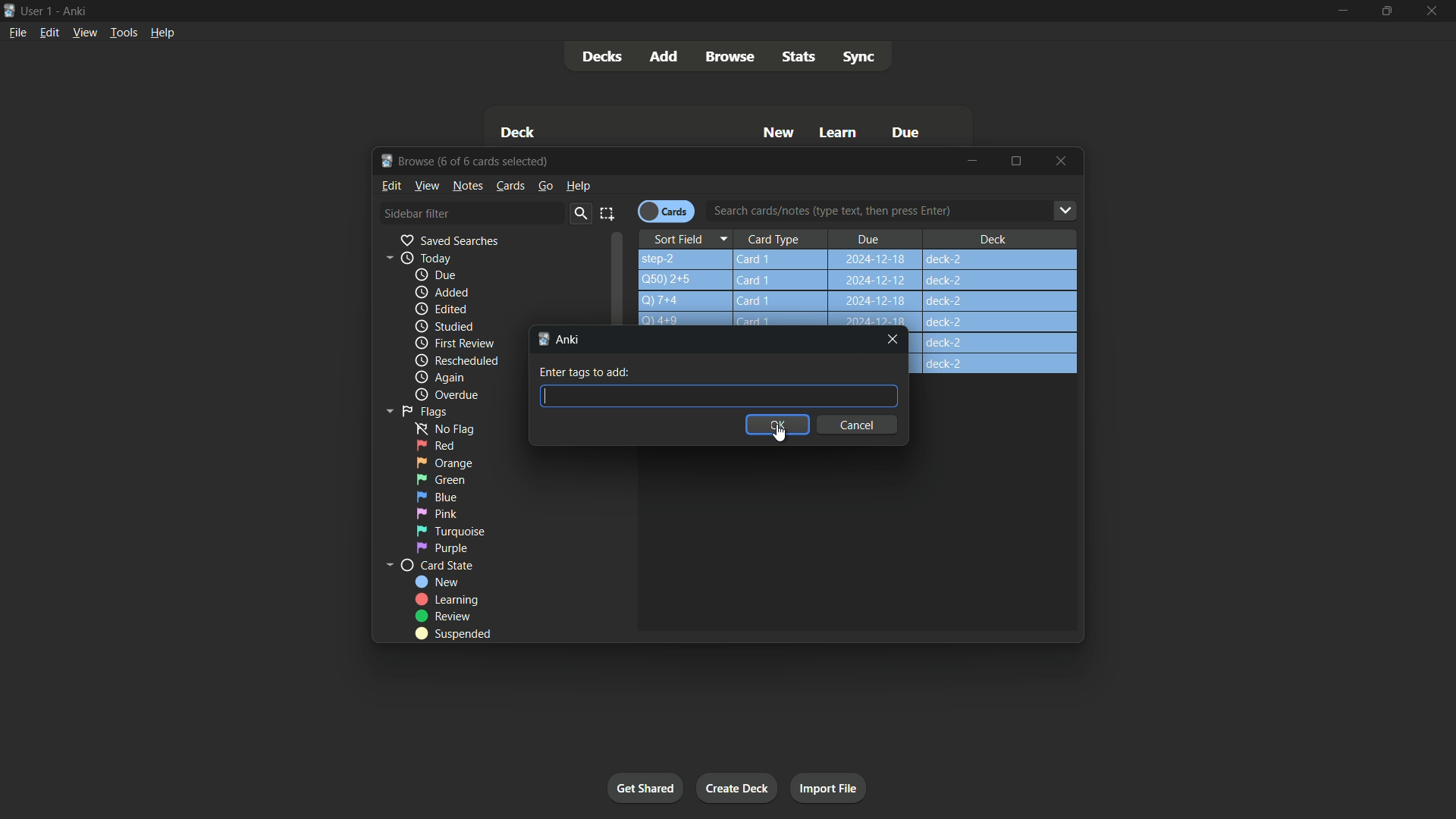 This screenshot has height=819, width=1456. I want to click on App name, so click(78, 11).